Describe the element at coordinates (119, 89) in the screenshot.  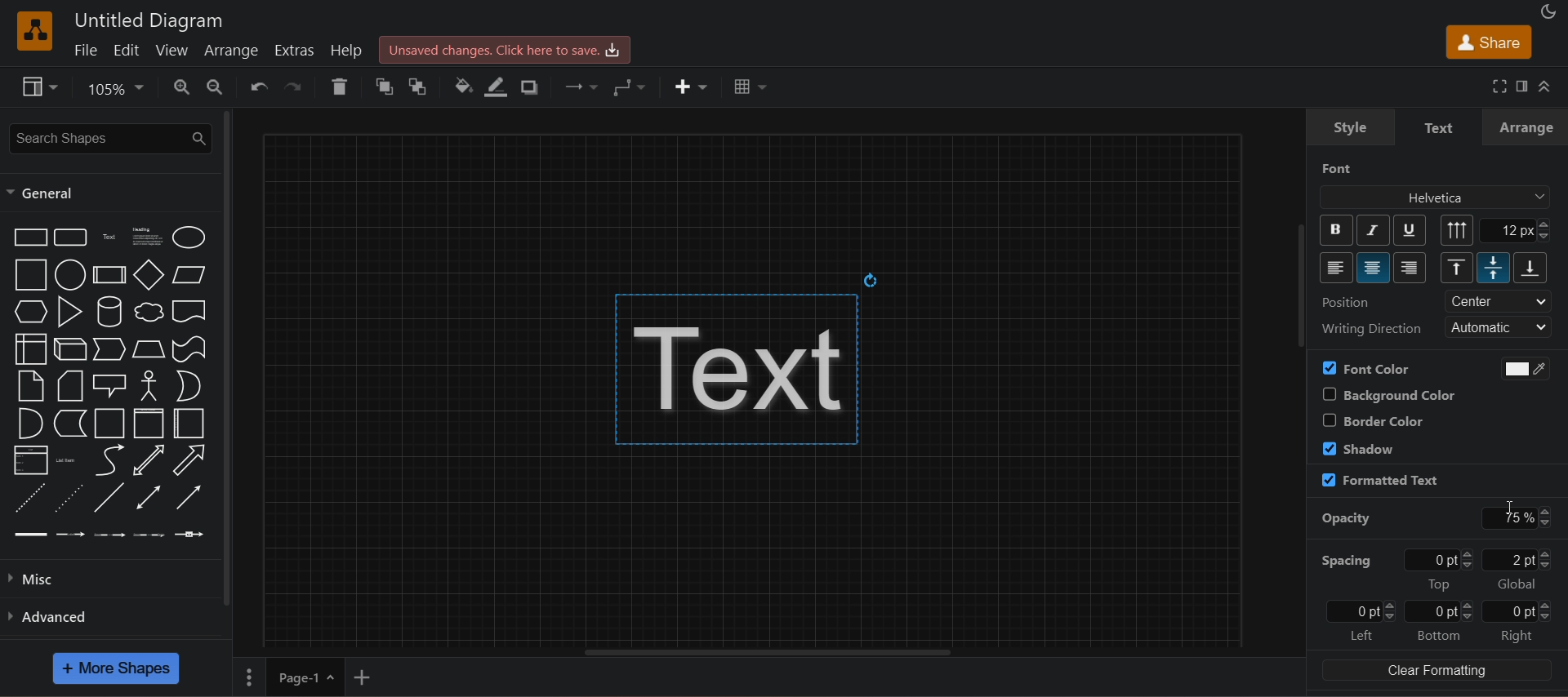
I see `zoom` at that location.